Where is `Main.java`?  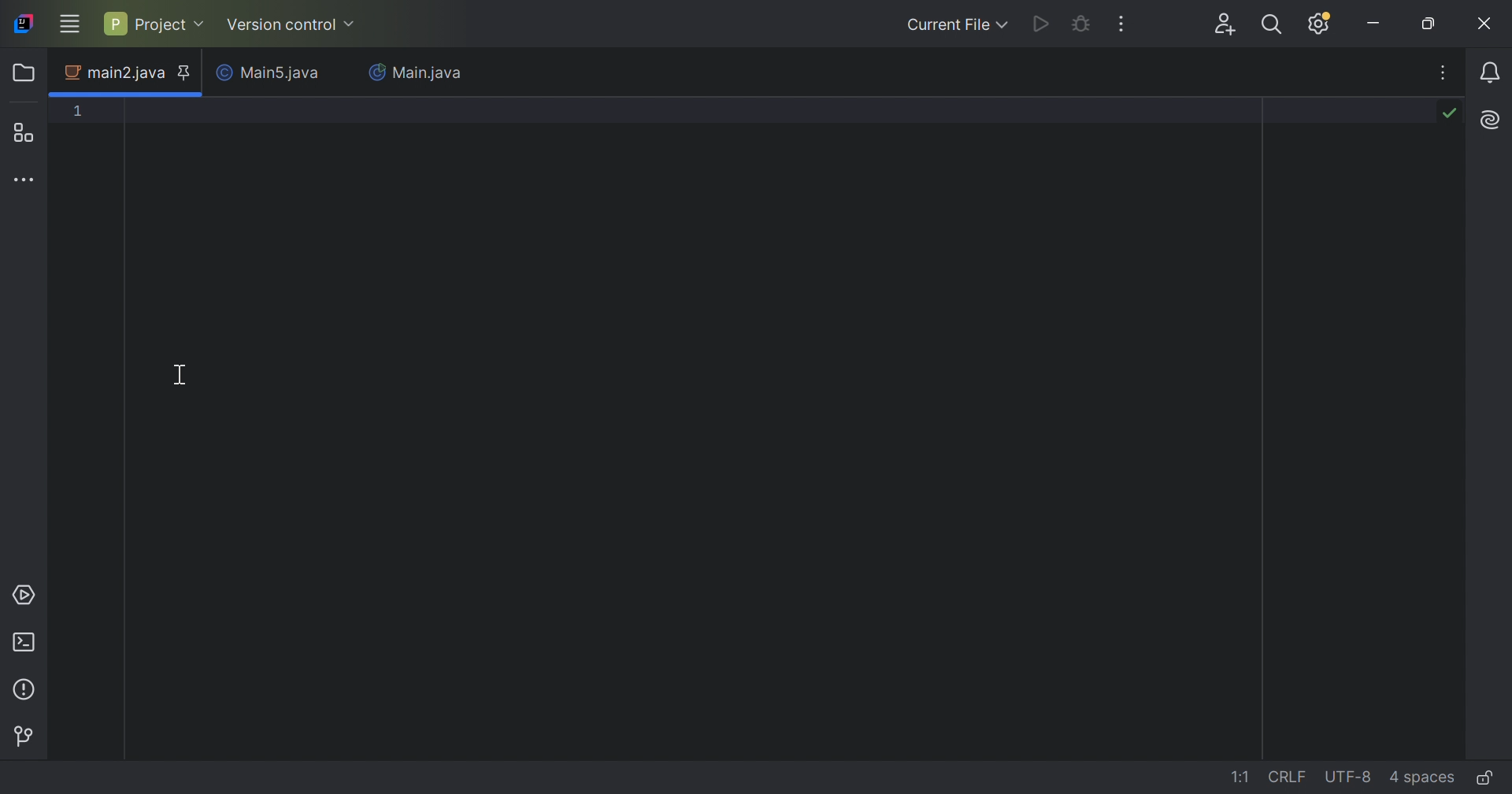 Main.java is located at coordinates (416, 74).